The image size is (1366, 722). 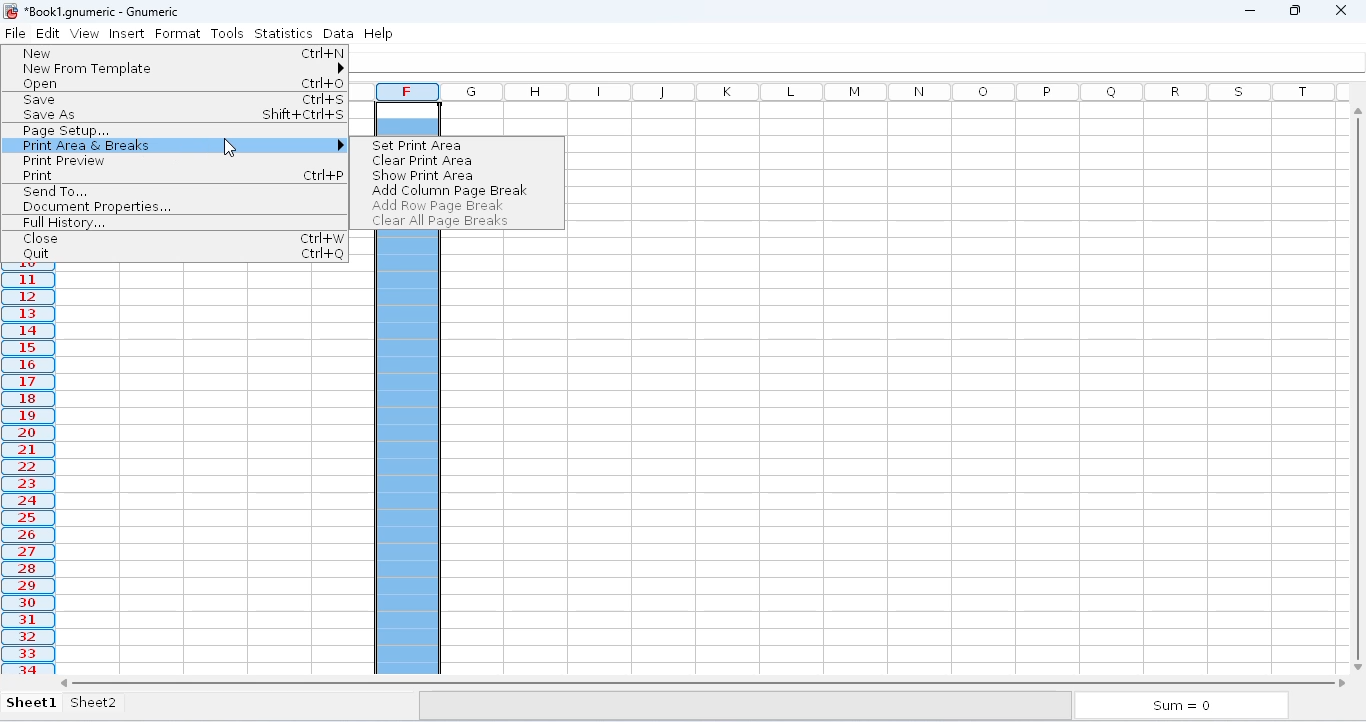 What do you see at coordinates (64, 131) in the screenshot?
I see `page setup` at bounding box center [64, 131].